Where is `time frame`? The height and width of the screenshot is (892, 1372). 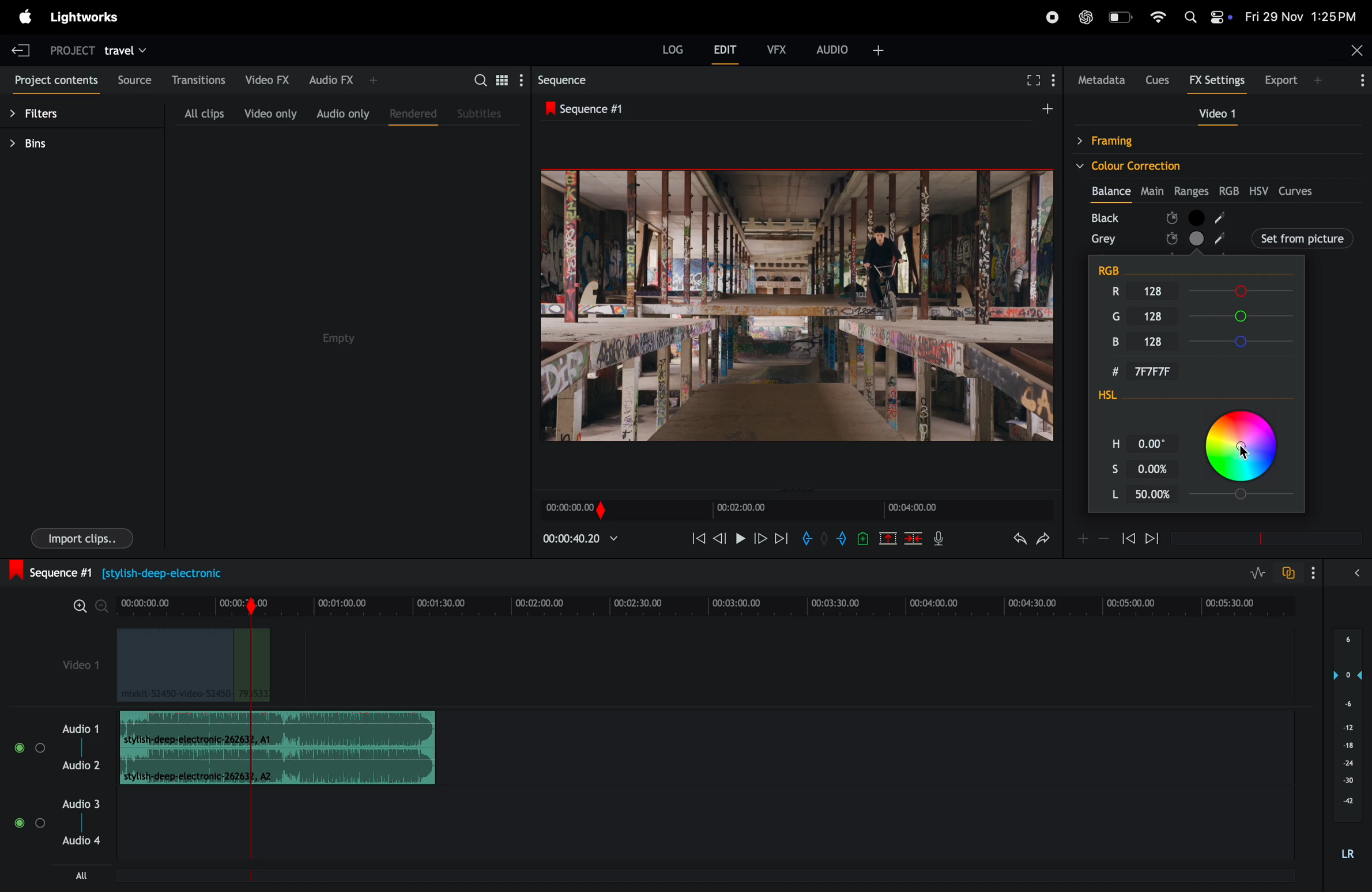
time frame is located at coordinates (711, 600).